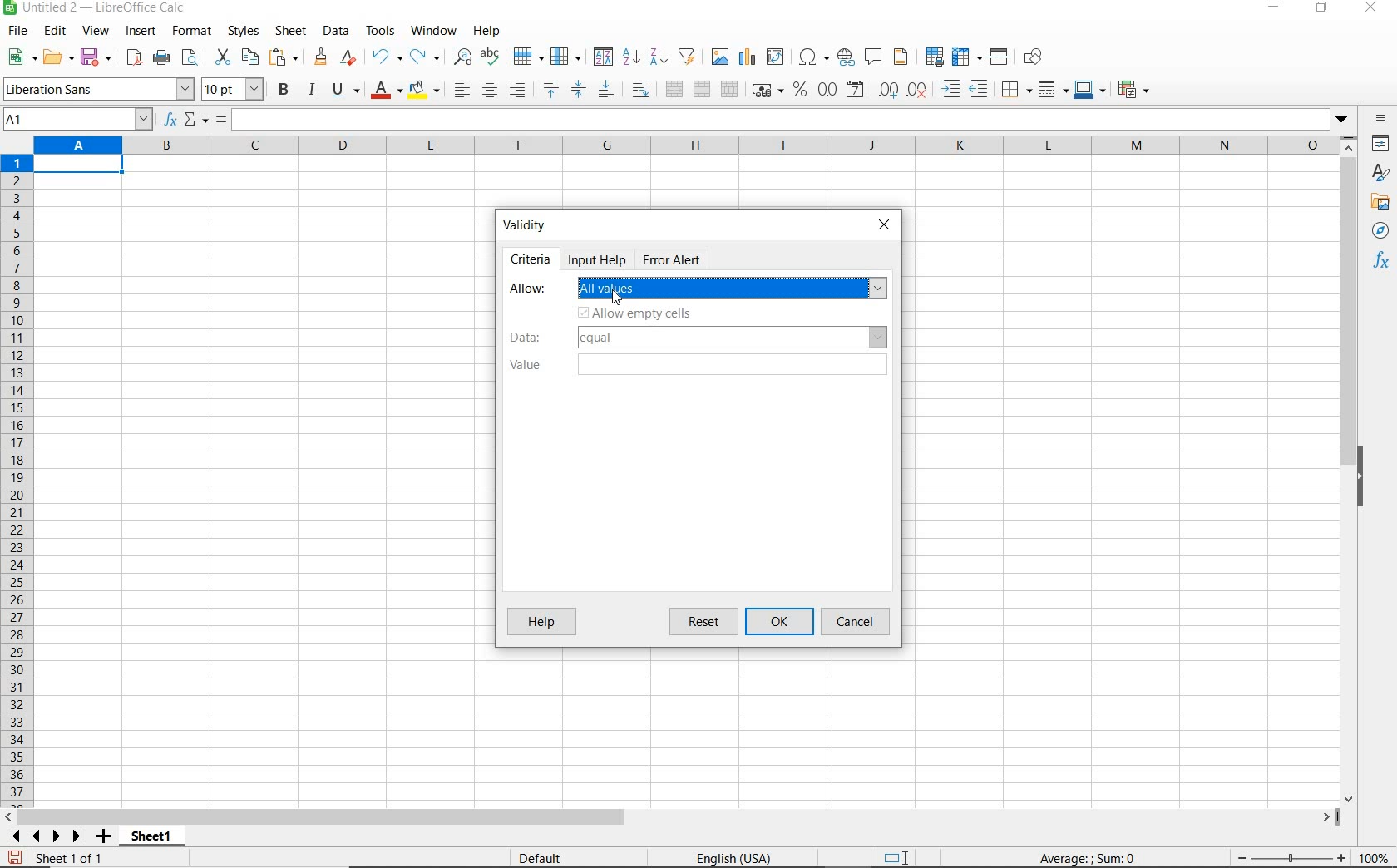 This screenshot has height=868, width=1397. What do you see at coordinates (15, 858) in the screenshot?
I see `save` at bounding box center [15, 858].